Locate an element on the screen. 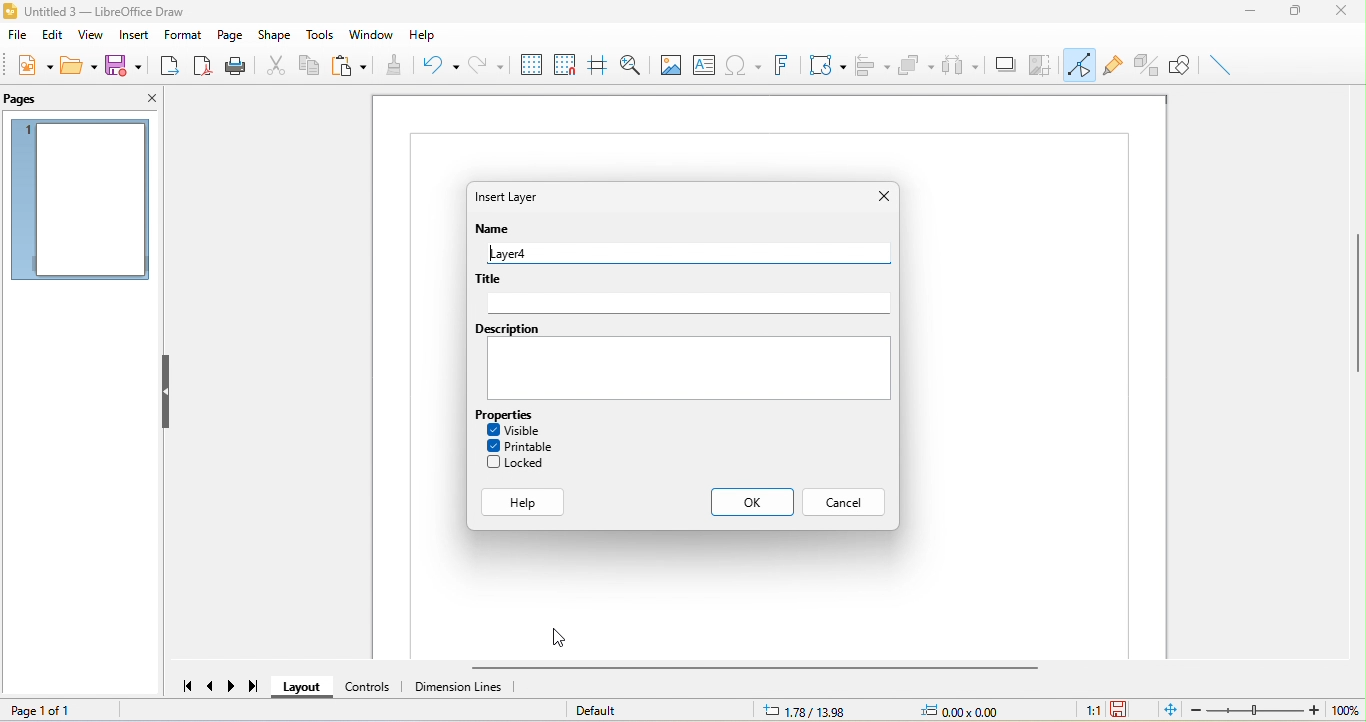  snap to grid is located at coordinates (565, 64).